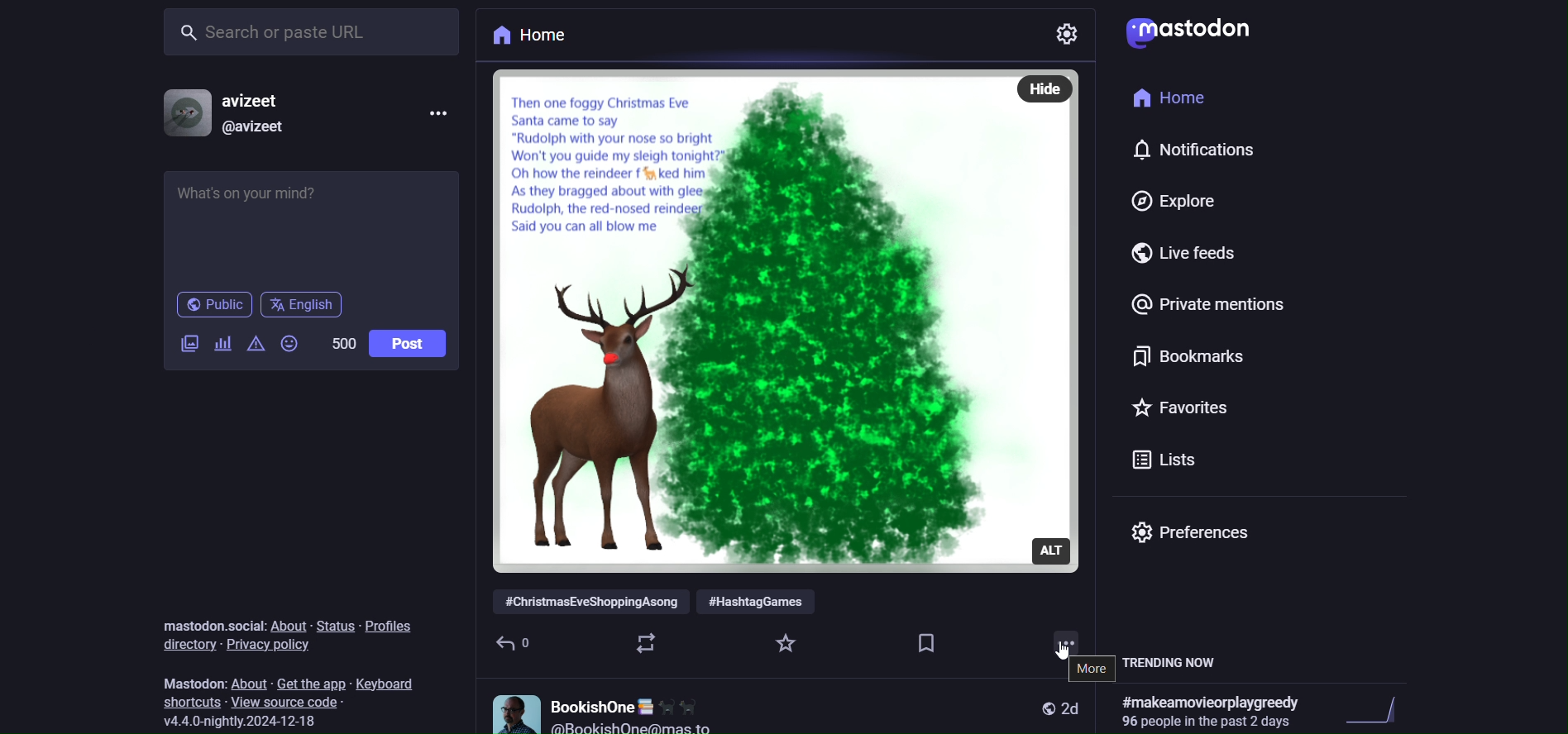  Describe the element at coordinates (443, 111) in the screenshot. I see `more options` at that location.